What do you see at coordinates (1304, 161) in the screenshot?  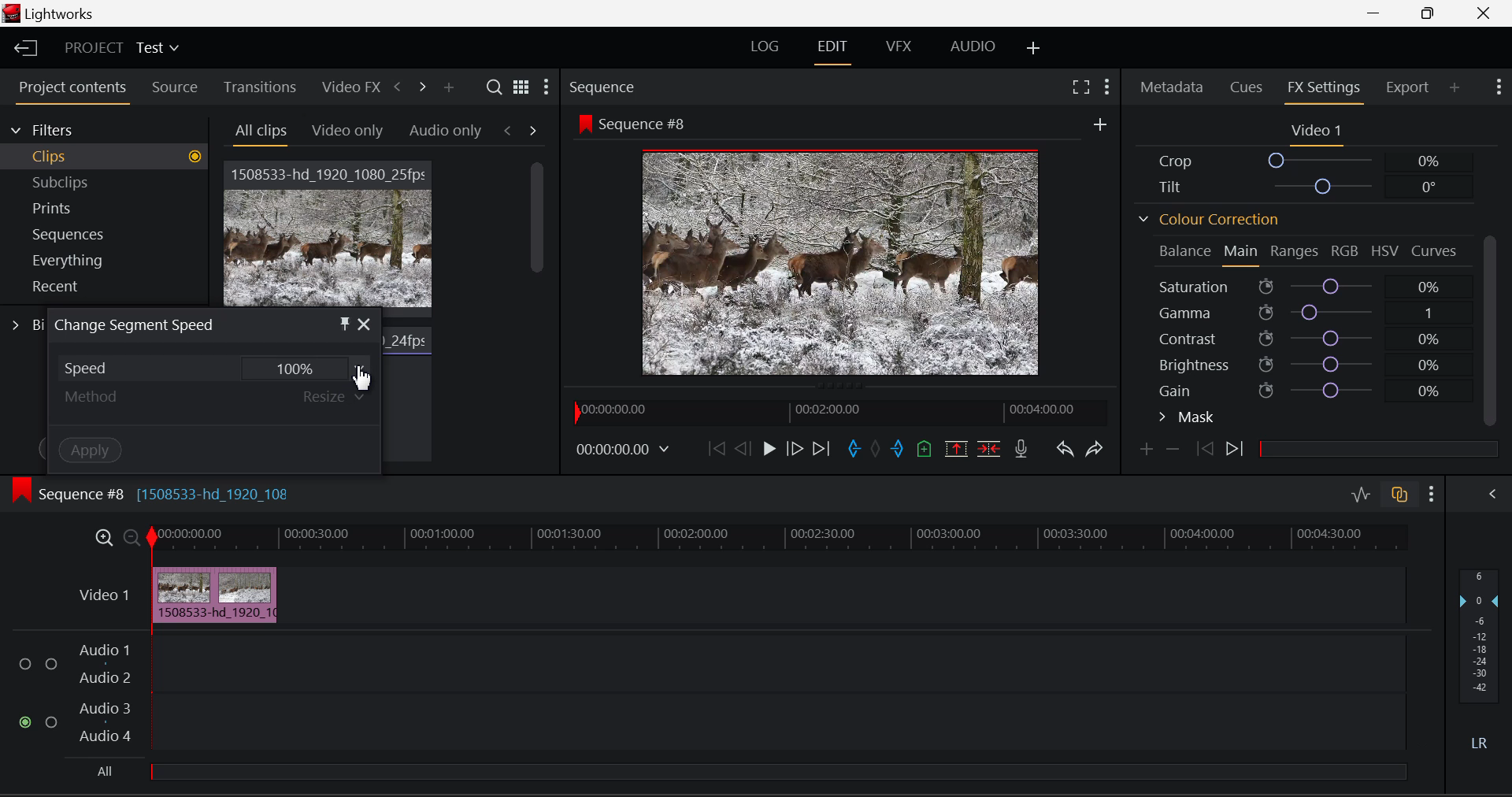 I see `Crop` at bounding box center [1304, 161].